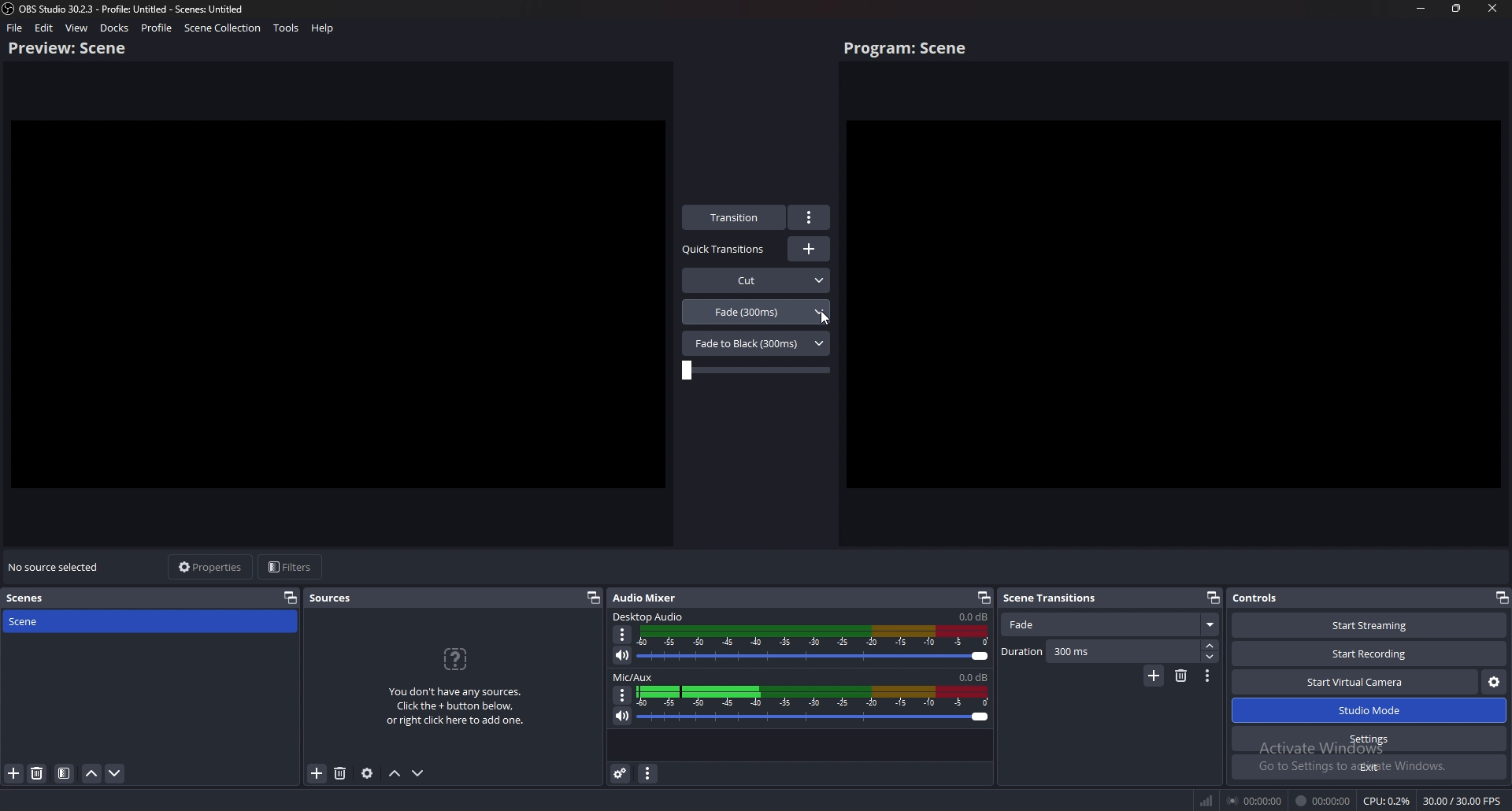  I want to click on minimize, so click(1422, 8).